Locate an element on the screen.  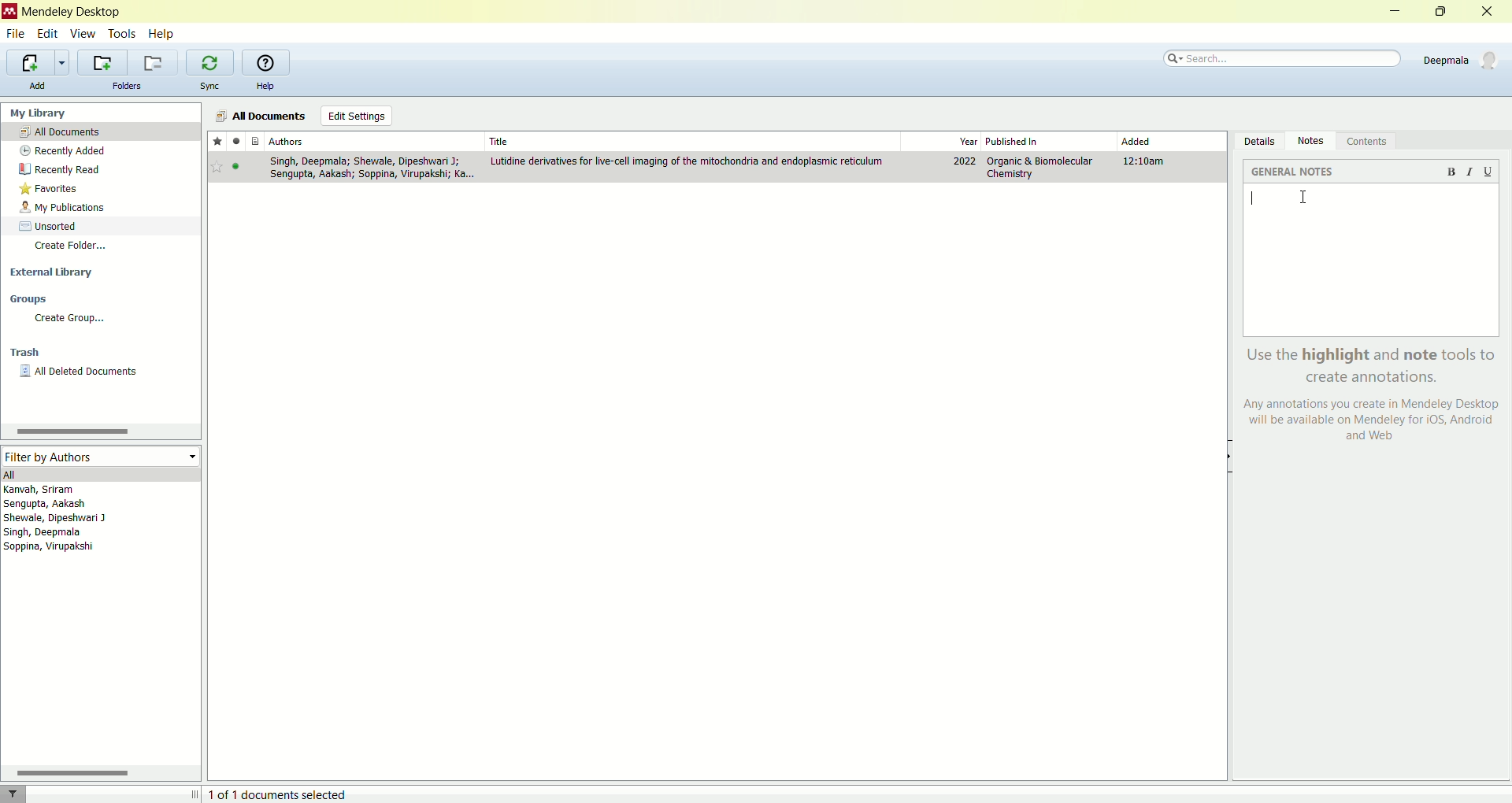
all is located at coordinates (101, 474).